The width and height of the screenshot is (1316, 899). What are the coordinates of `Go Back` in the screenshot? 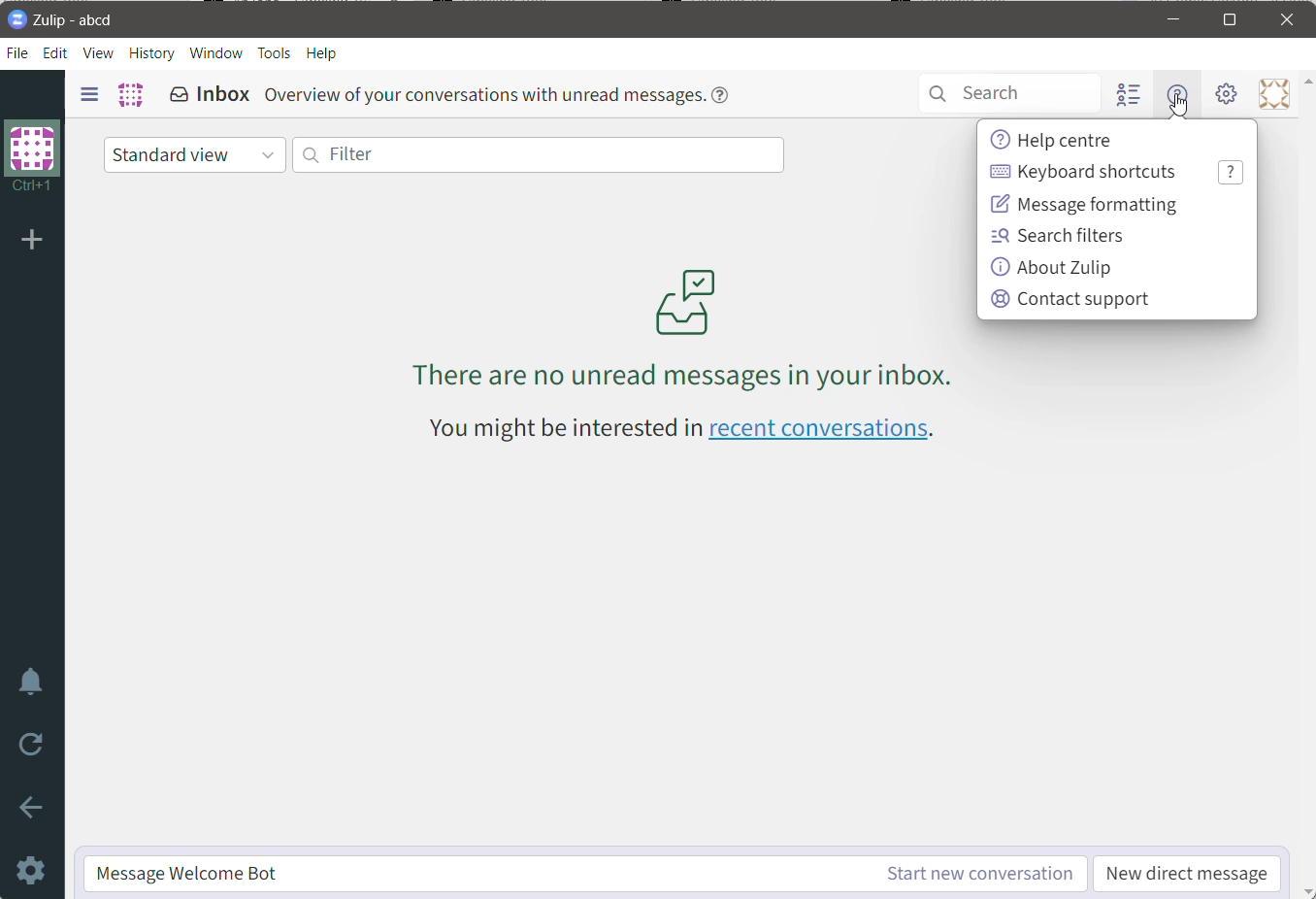 It's located at (33, 809).